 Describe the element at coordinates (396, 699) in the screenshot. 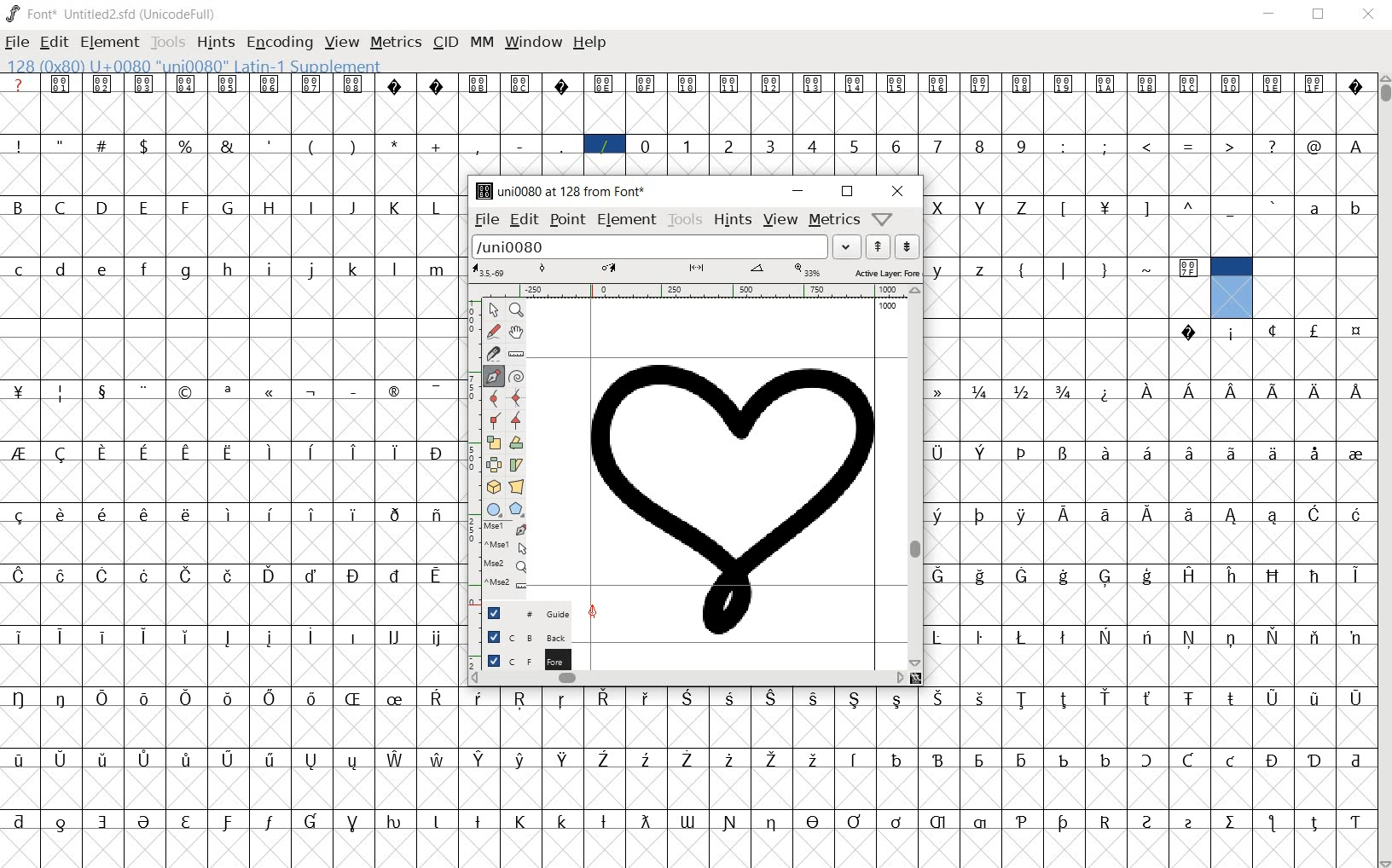

I see `glyph` at that location.